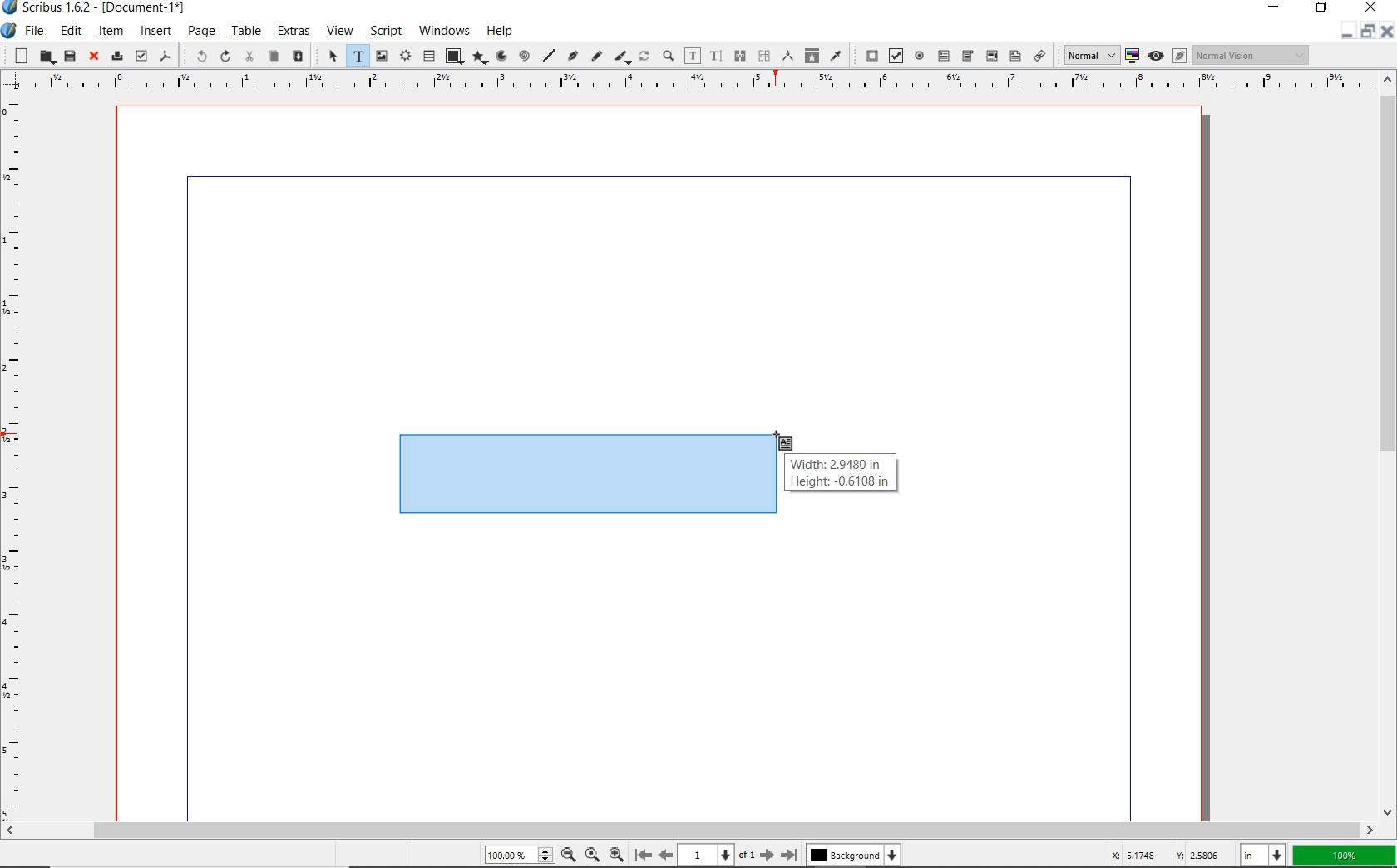 The height and width of the screenshot is (868, 1397). Describe the element at coordinates (1385, 33) in the screenshot. I see `Close` at that location.